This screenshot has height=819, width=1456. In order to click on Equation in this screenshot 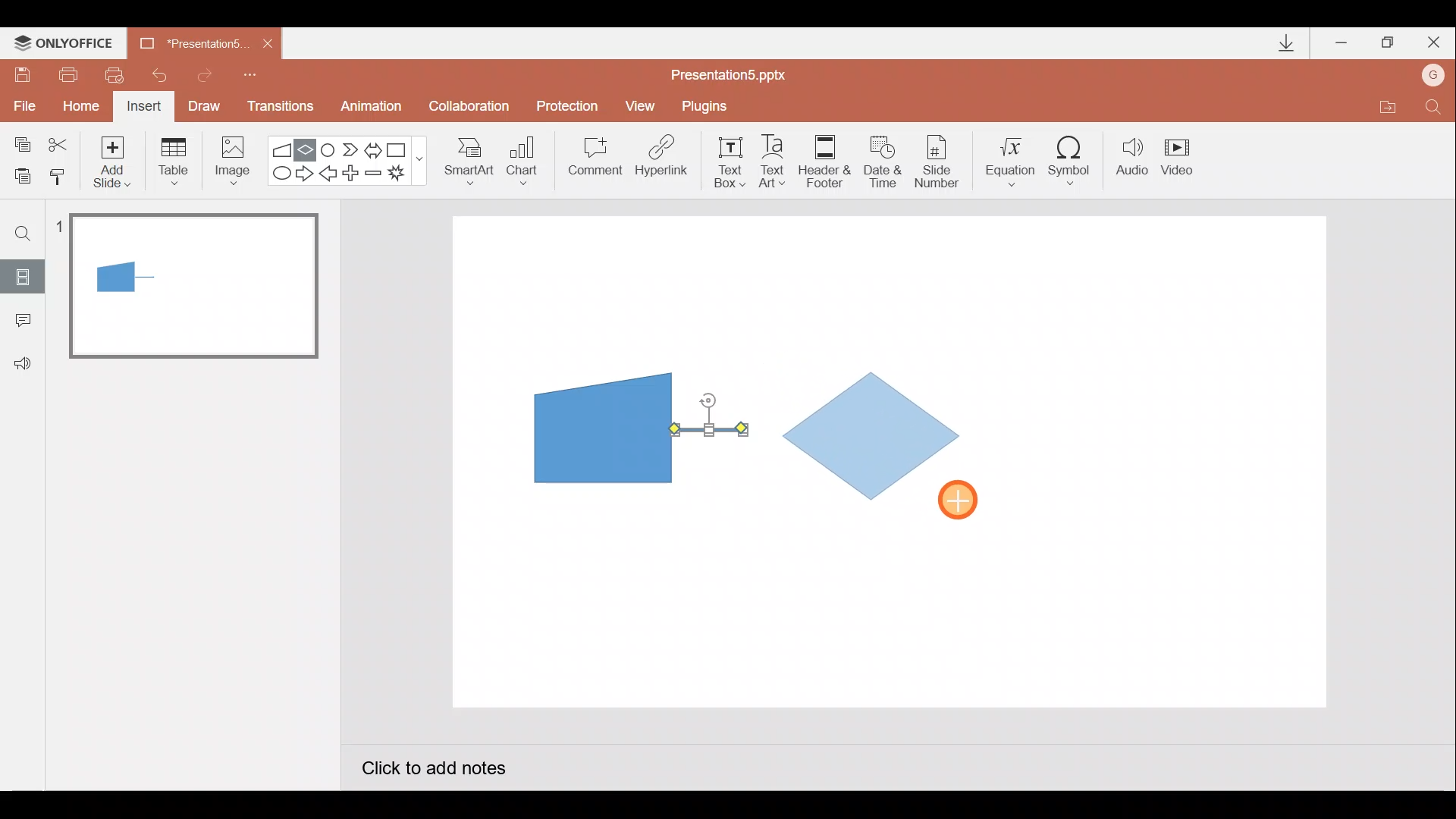, I will do `click(1013, 159)`.